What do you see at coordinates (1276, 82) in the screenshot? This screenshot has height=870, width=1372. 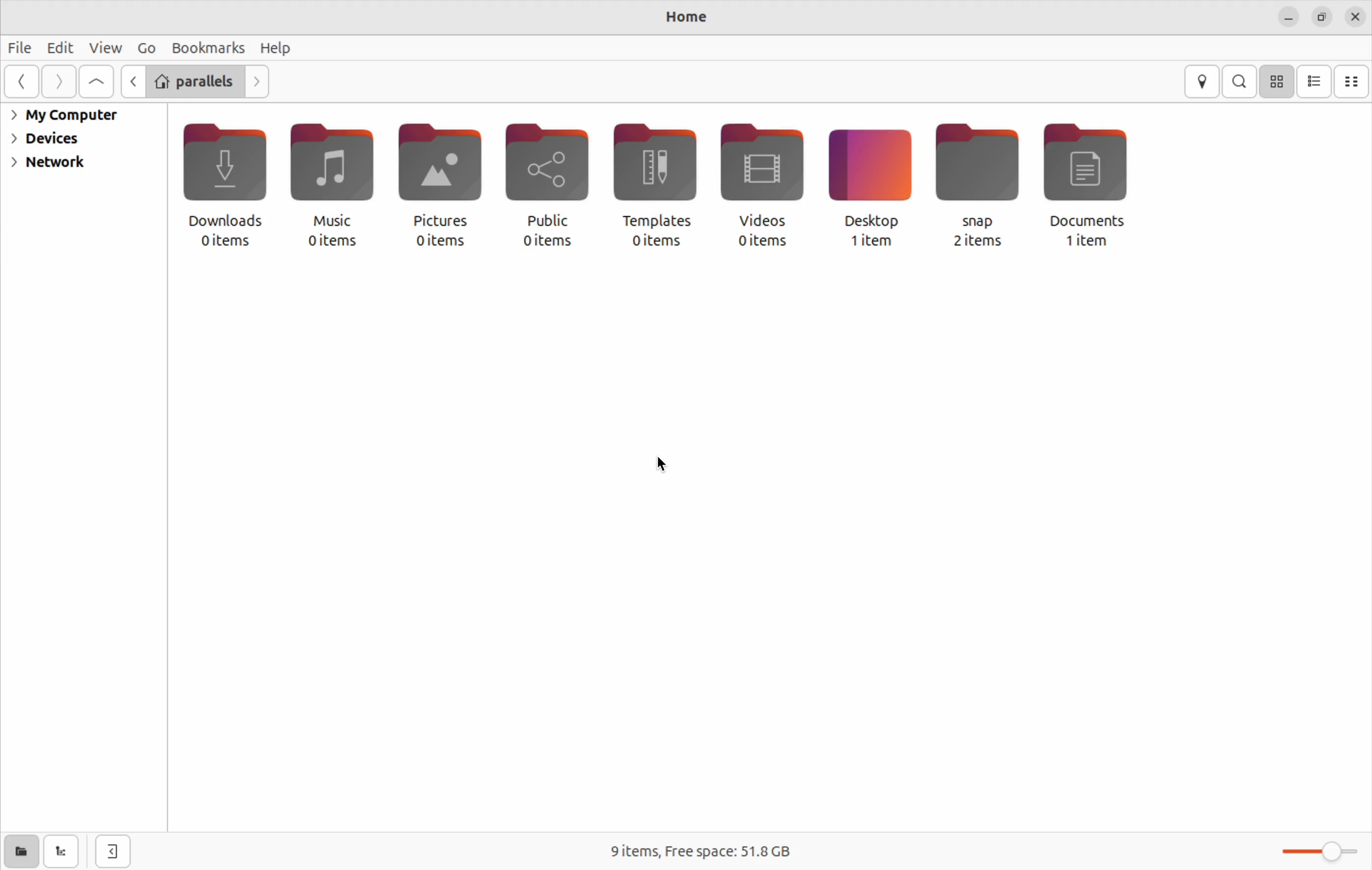 I see `icon view` at bounding box center [1276, 82].